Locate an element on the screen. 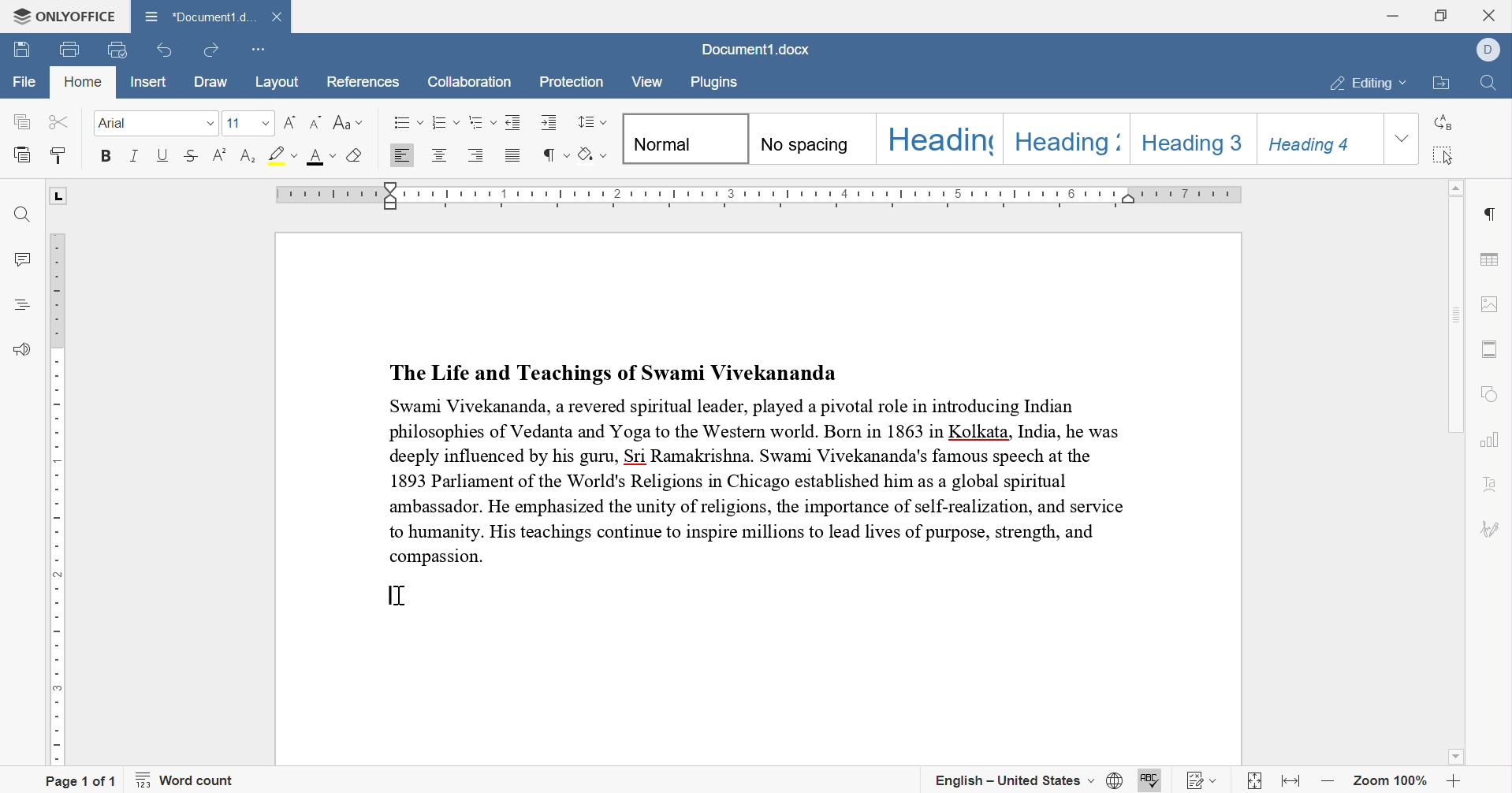  header and footer settings is located at coordinates (1488, 349).